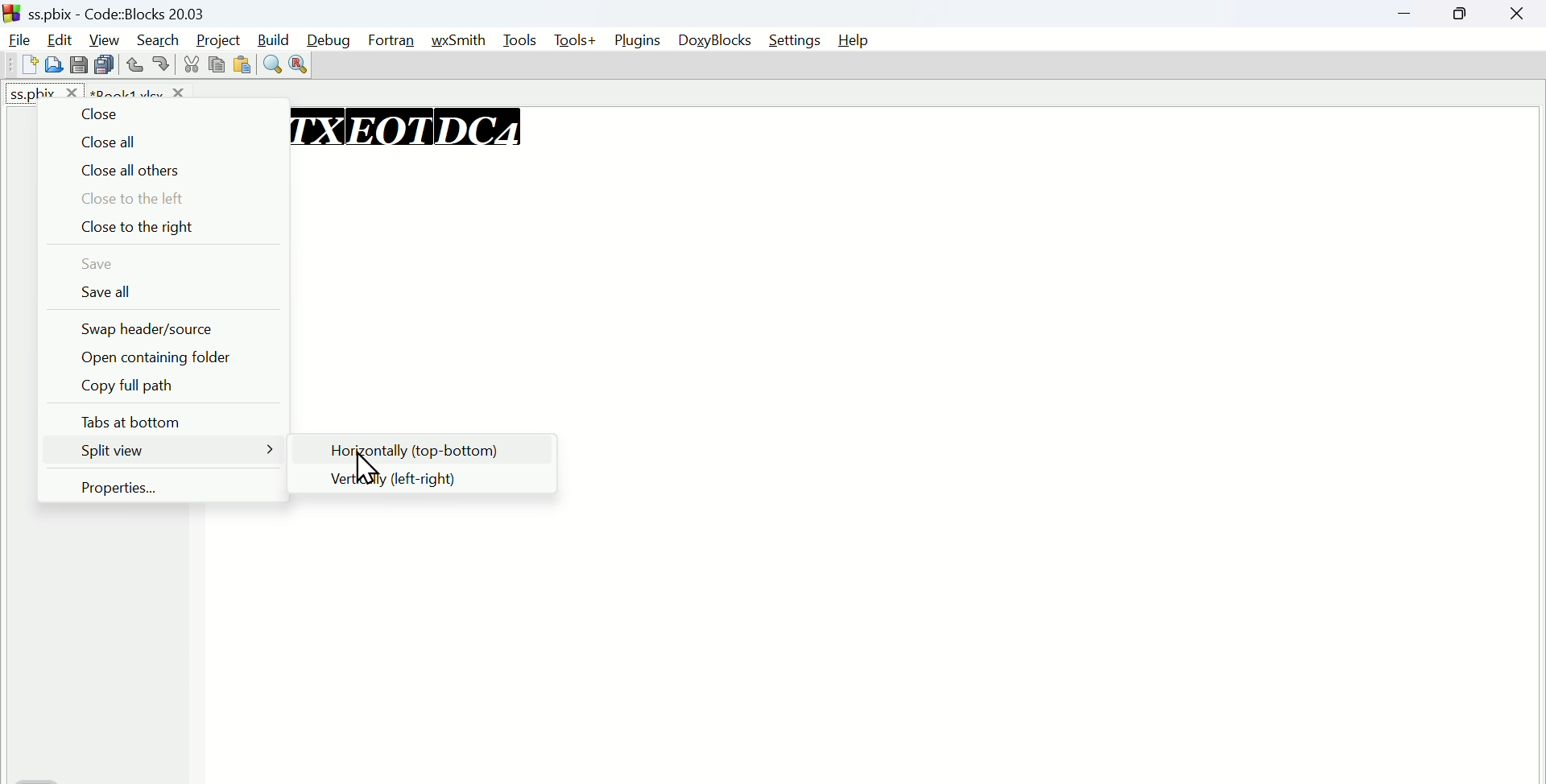 This screenshot has width=1546, height=784. Describe the element at coordinates (159, 229) in the screenshot. I see `Close to the right` at that location.